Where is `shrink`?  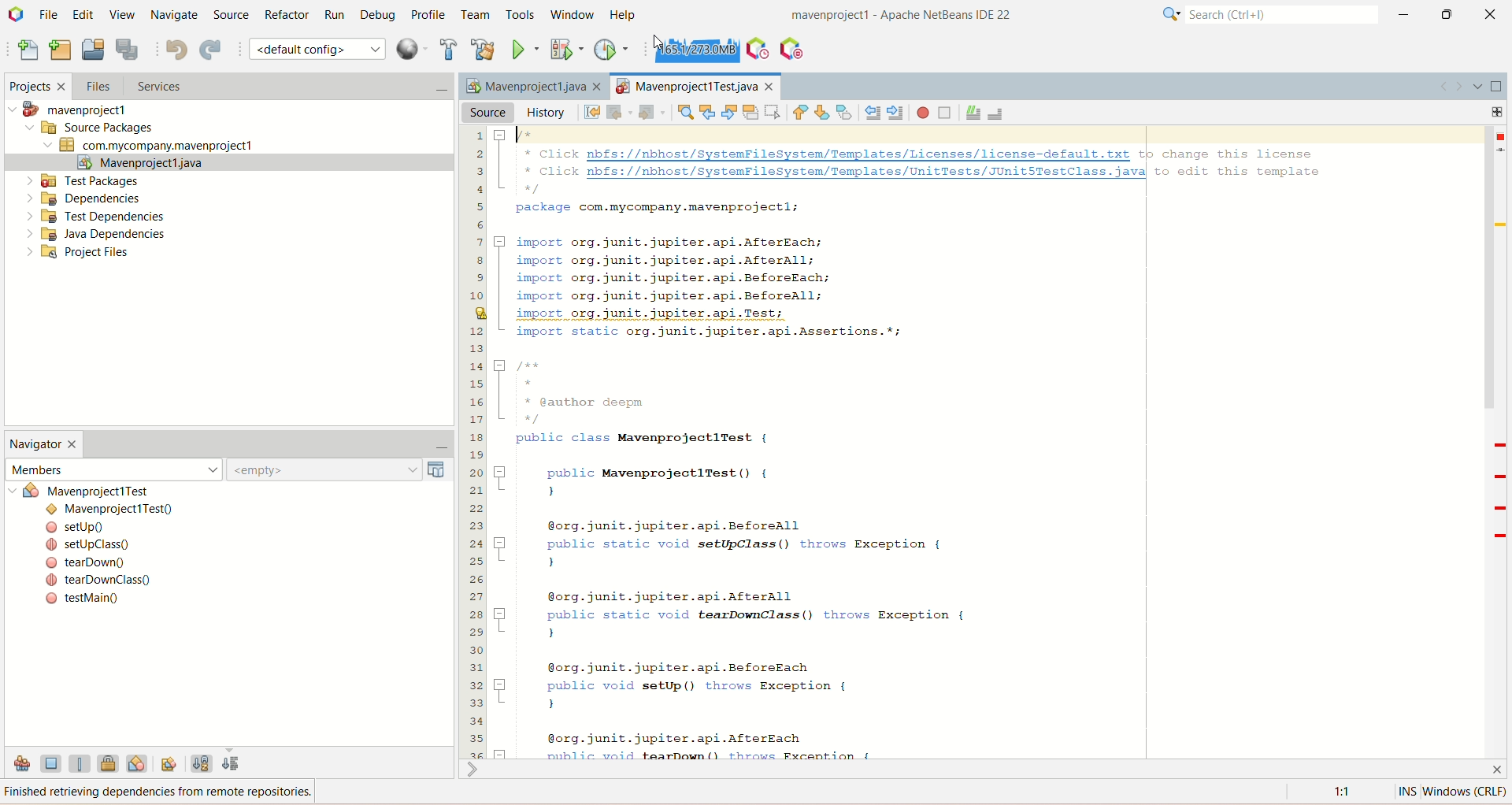
shrink is located at coordinates (475, 769).